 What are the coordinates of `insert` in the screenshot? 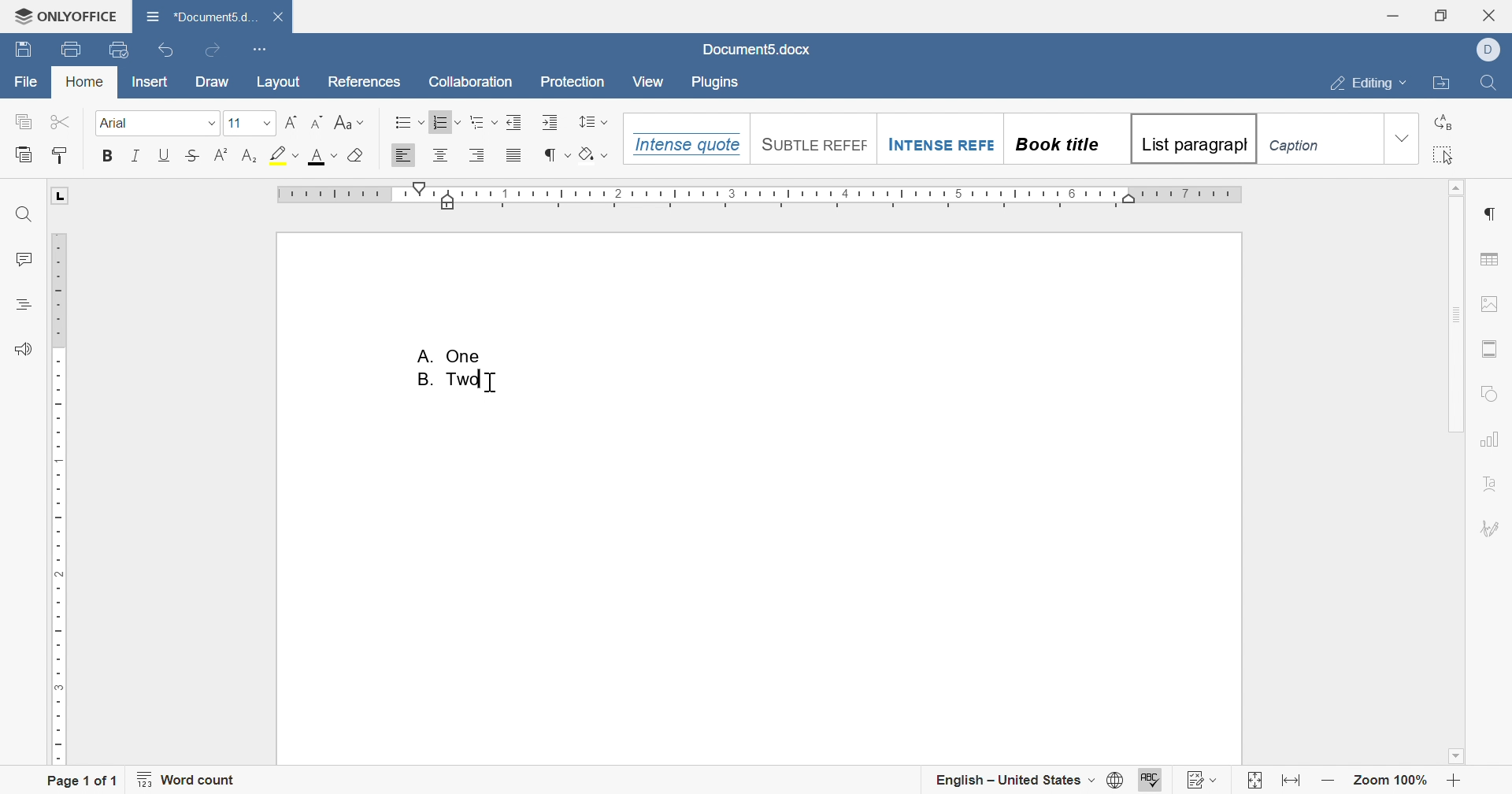 It's located at (150, 81).